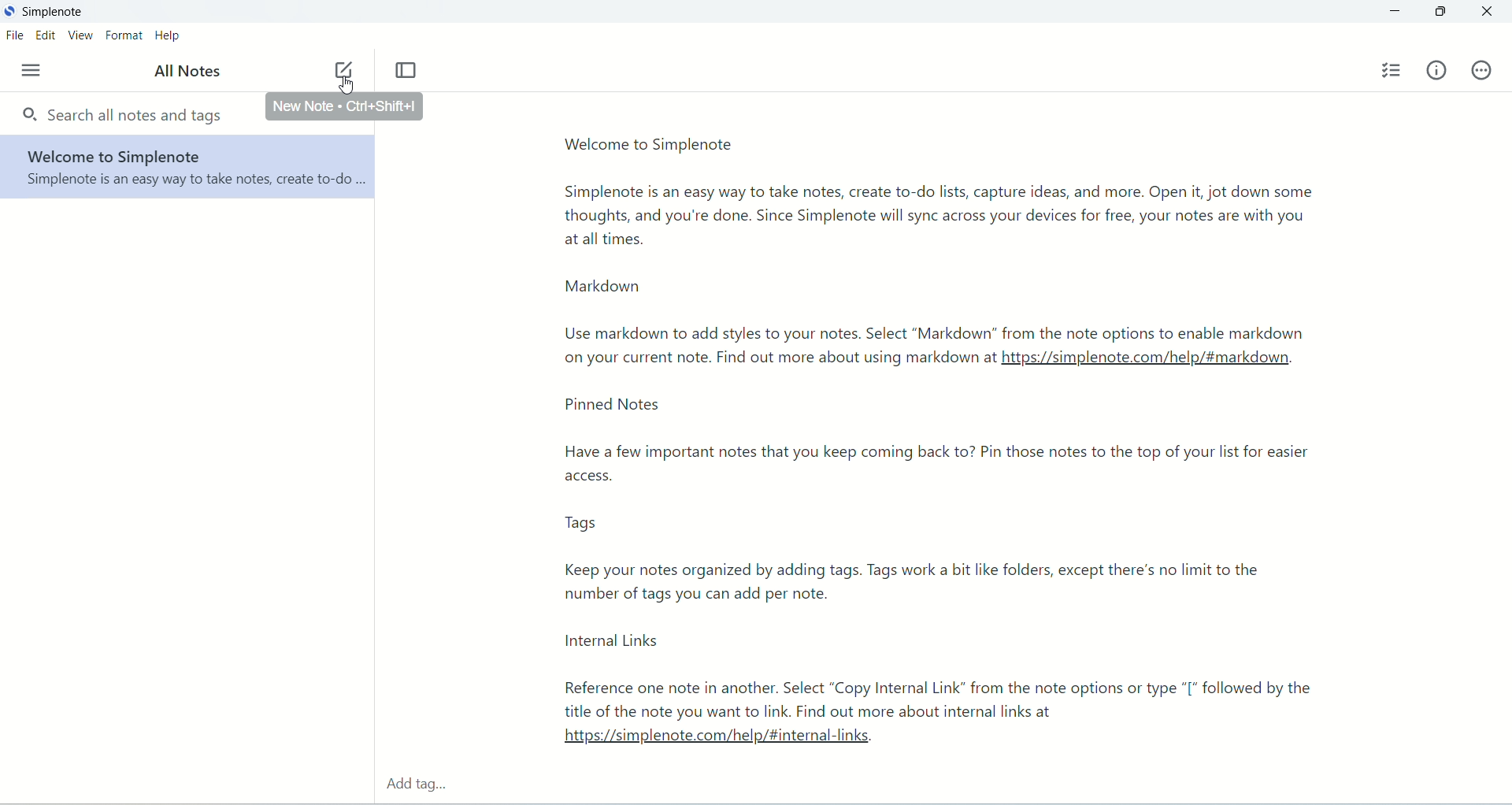 This screenshot has height=805, width=1512. Describe the element at coordinates (343, 106) in the screenshot. I see `new note` at that location.